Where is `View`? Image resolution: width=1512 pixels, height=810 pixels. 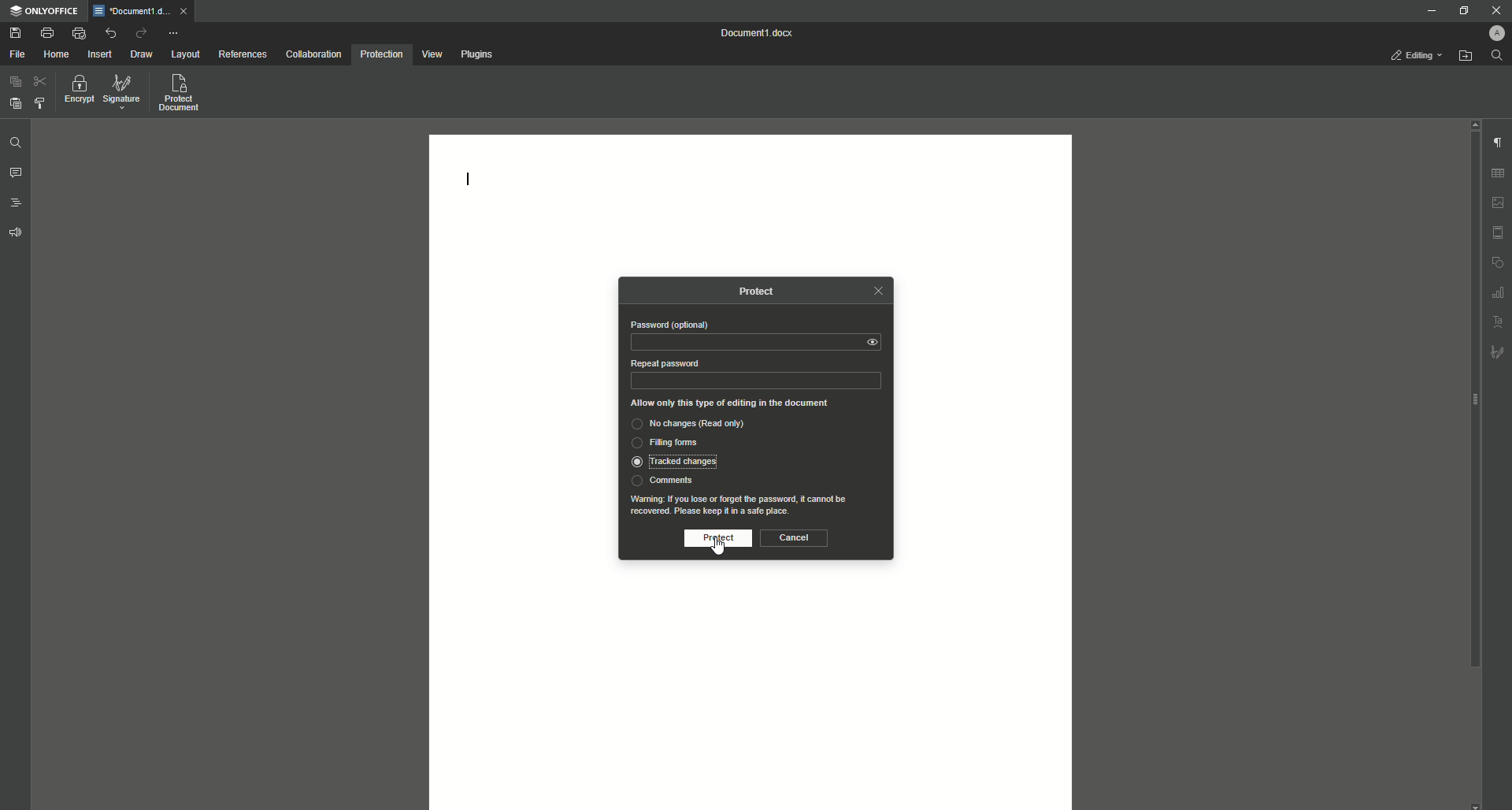
View is located at coordinates (430, 54).